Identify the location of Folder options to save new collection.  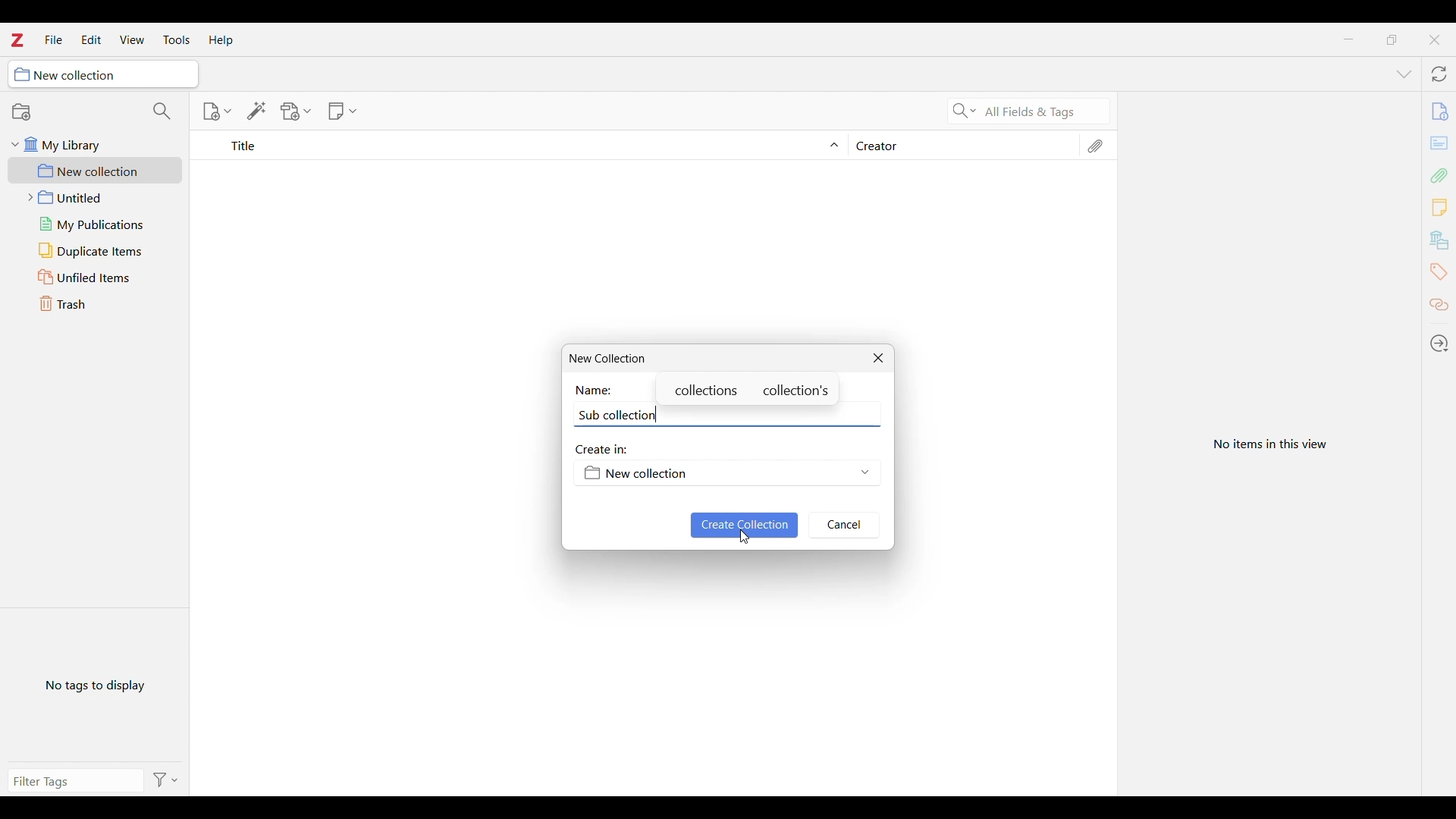
(726, 473).